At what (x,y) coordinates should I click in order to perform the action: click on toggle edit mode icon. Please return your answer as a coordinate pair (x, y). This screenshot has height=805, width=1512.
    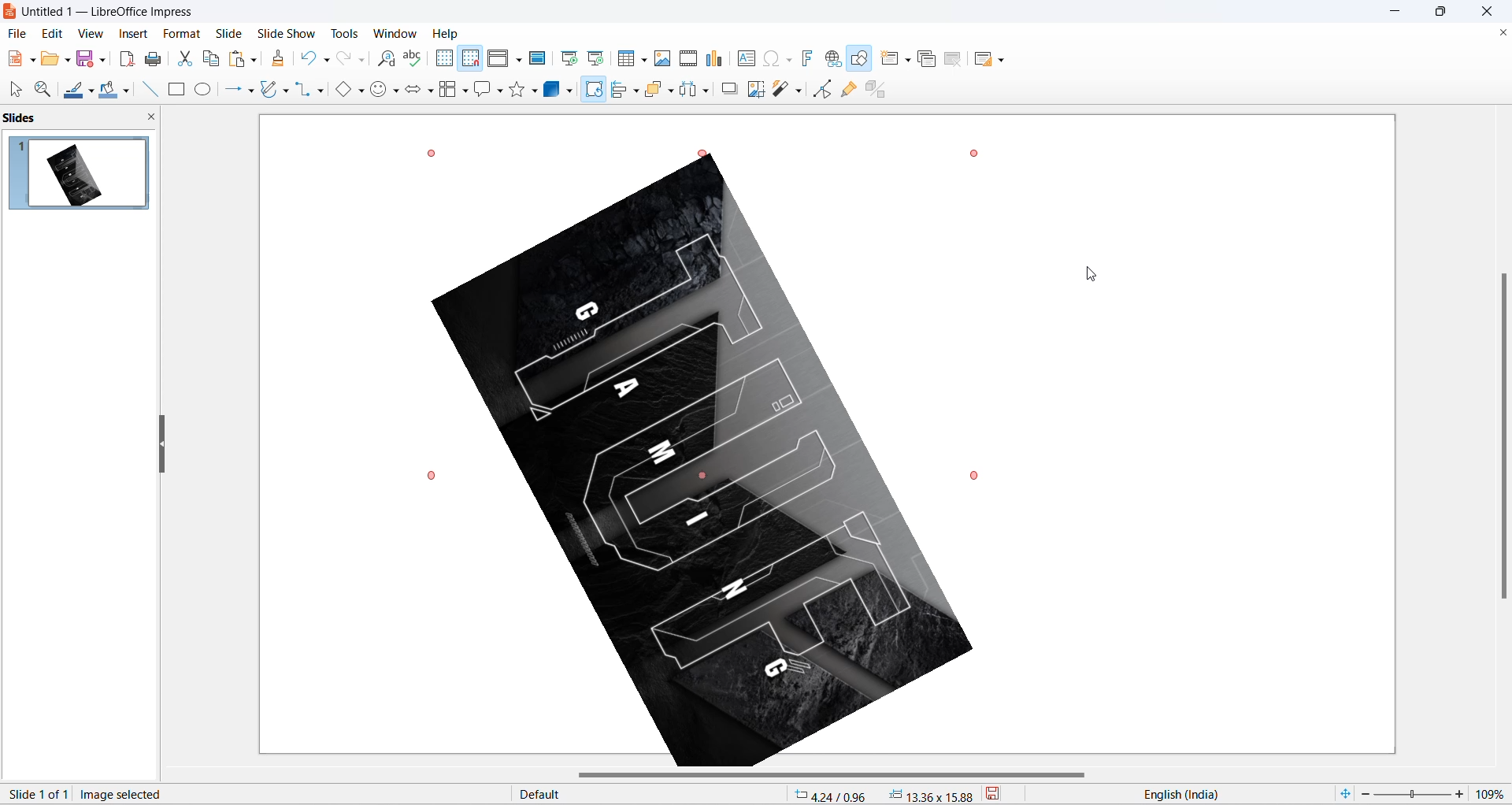
    Looking at the image, I should click on (825, 88).